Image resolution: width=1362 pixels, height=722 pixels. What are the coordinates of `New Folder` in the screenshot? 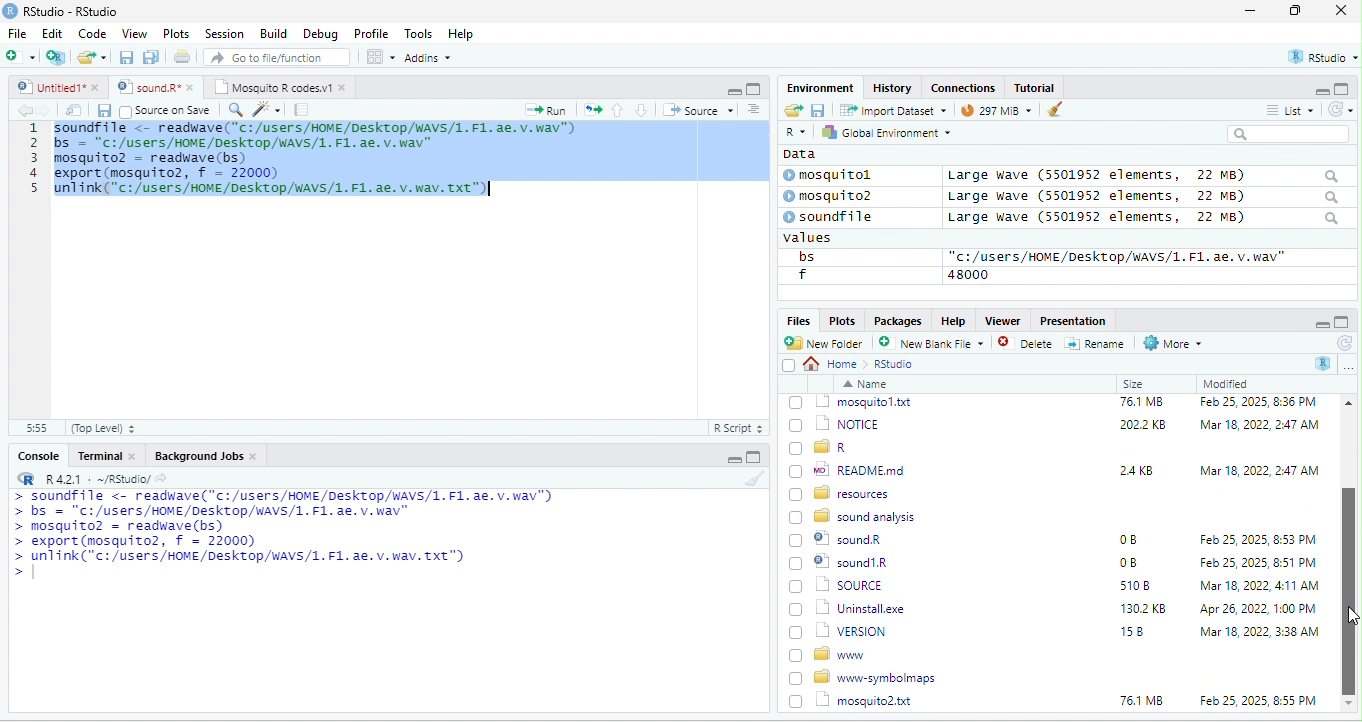 It's located at (828, 343).